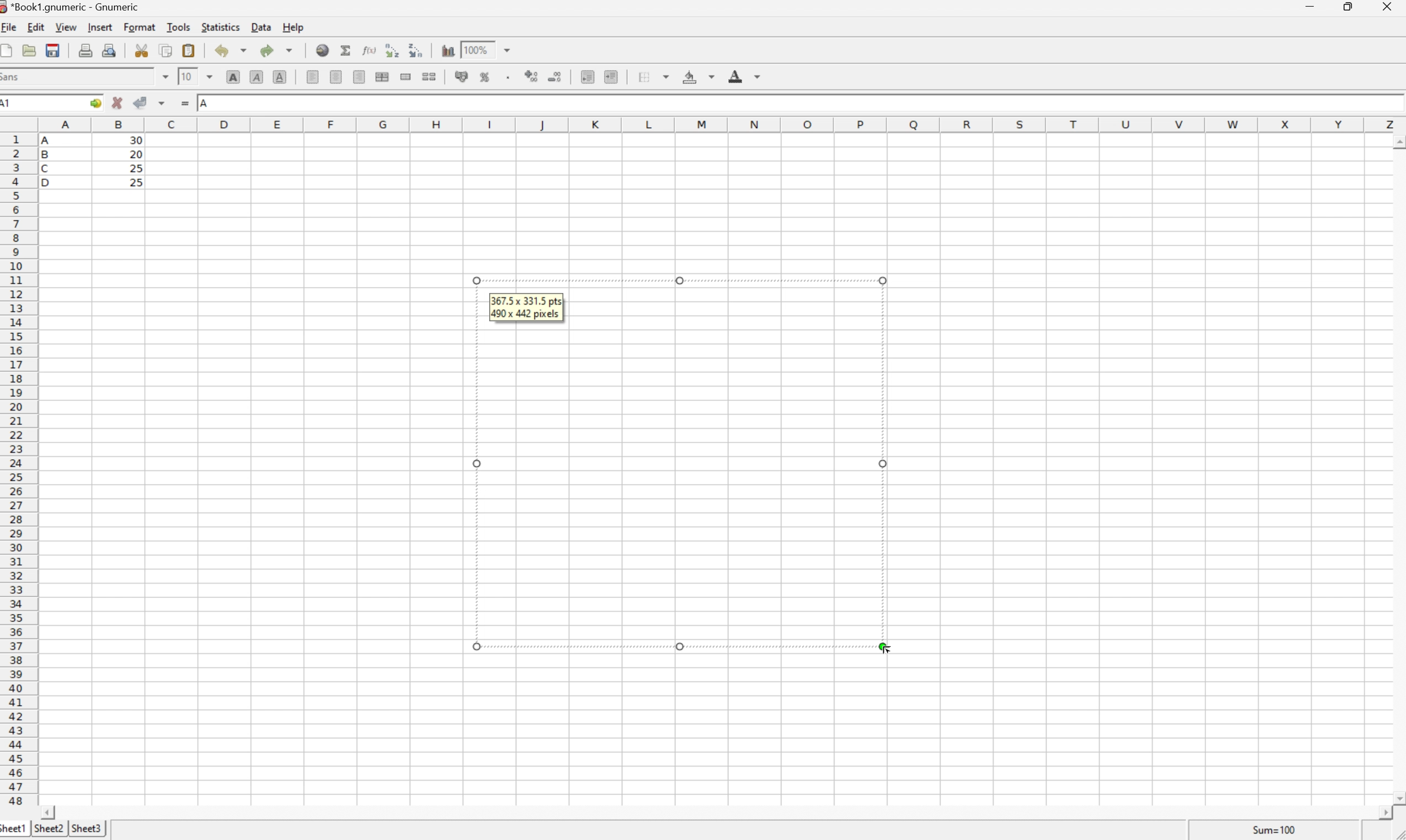  I want to click on D, so click(50, 182).